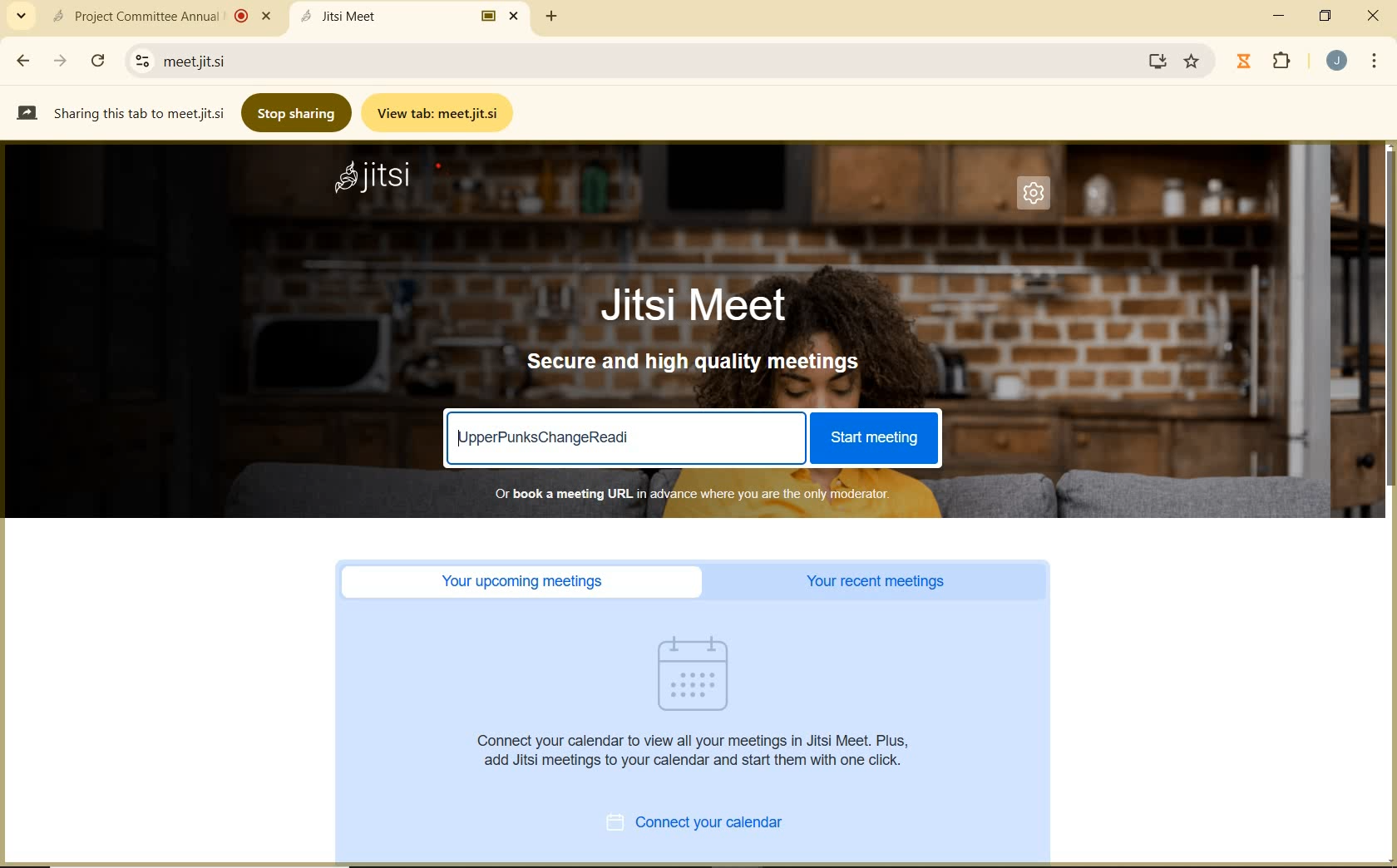  What do you see at coordinates (690, 493) in the screenshot?
I see `Or book a meeting URL in advance where you are the only moderator.` at bounding box center [690, 493].